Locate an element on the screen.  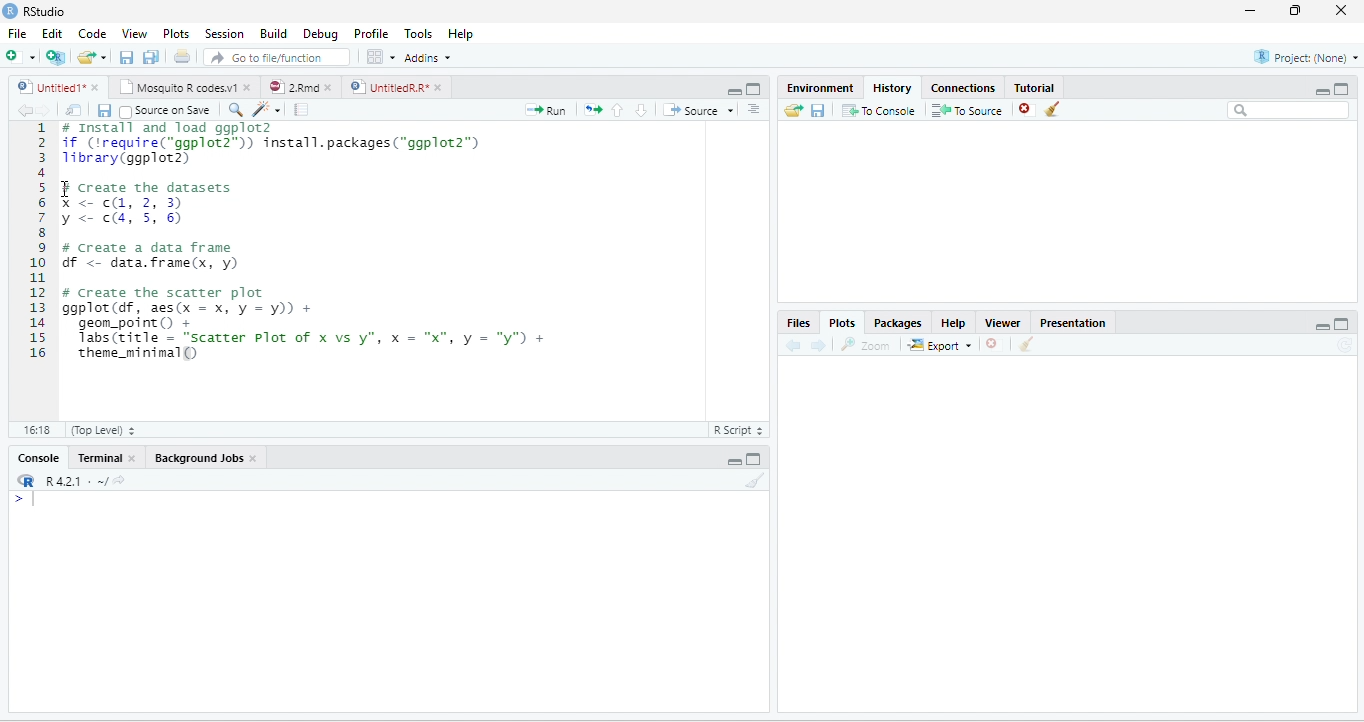
Maximize is located at coordinates (1343, 323).